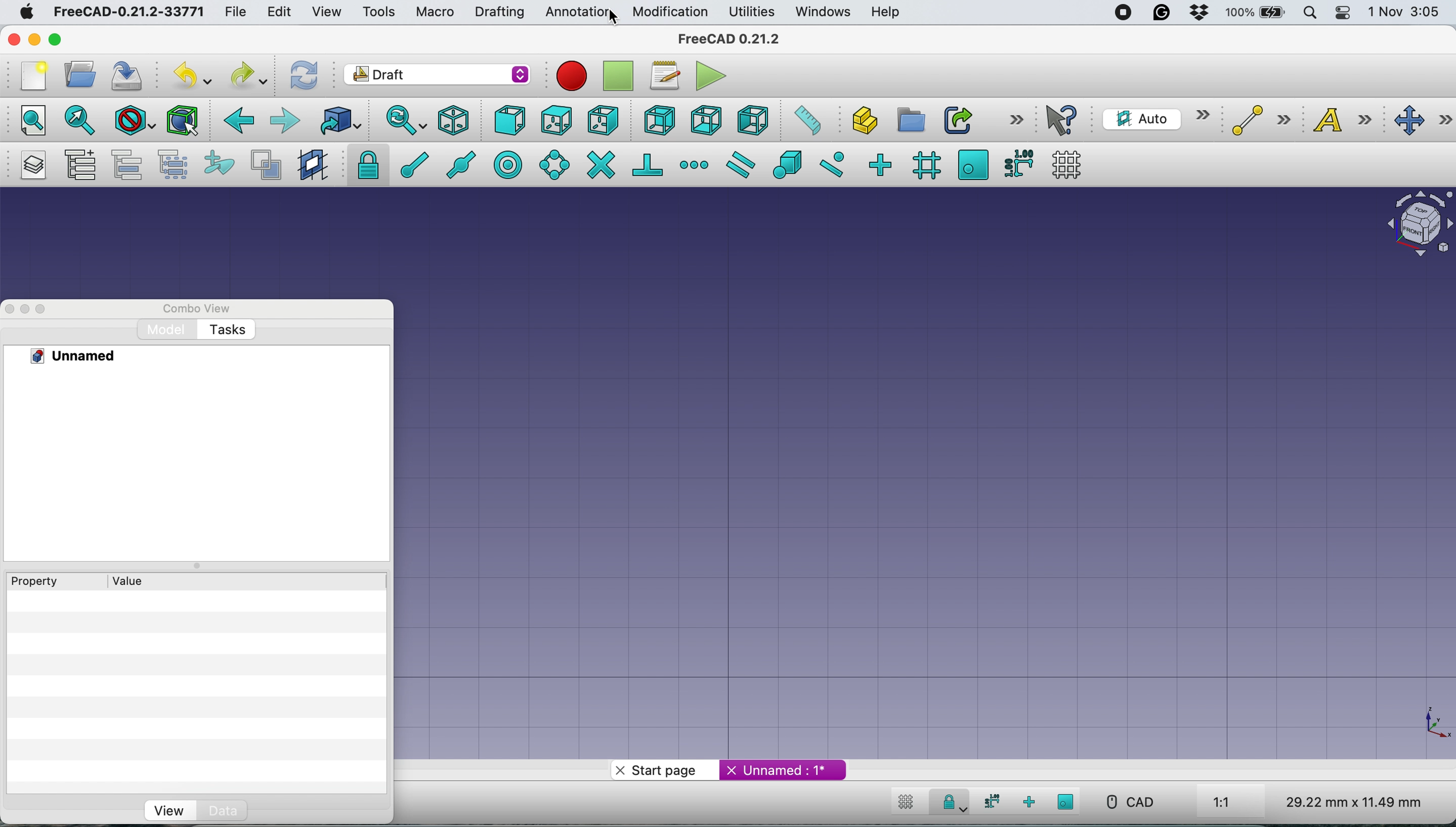 The image size is (1456, 827). I want to click on cad, so click(1135, 804).